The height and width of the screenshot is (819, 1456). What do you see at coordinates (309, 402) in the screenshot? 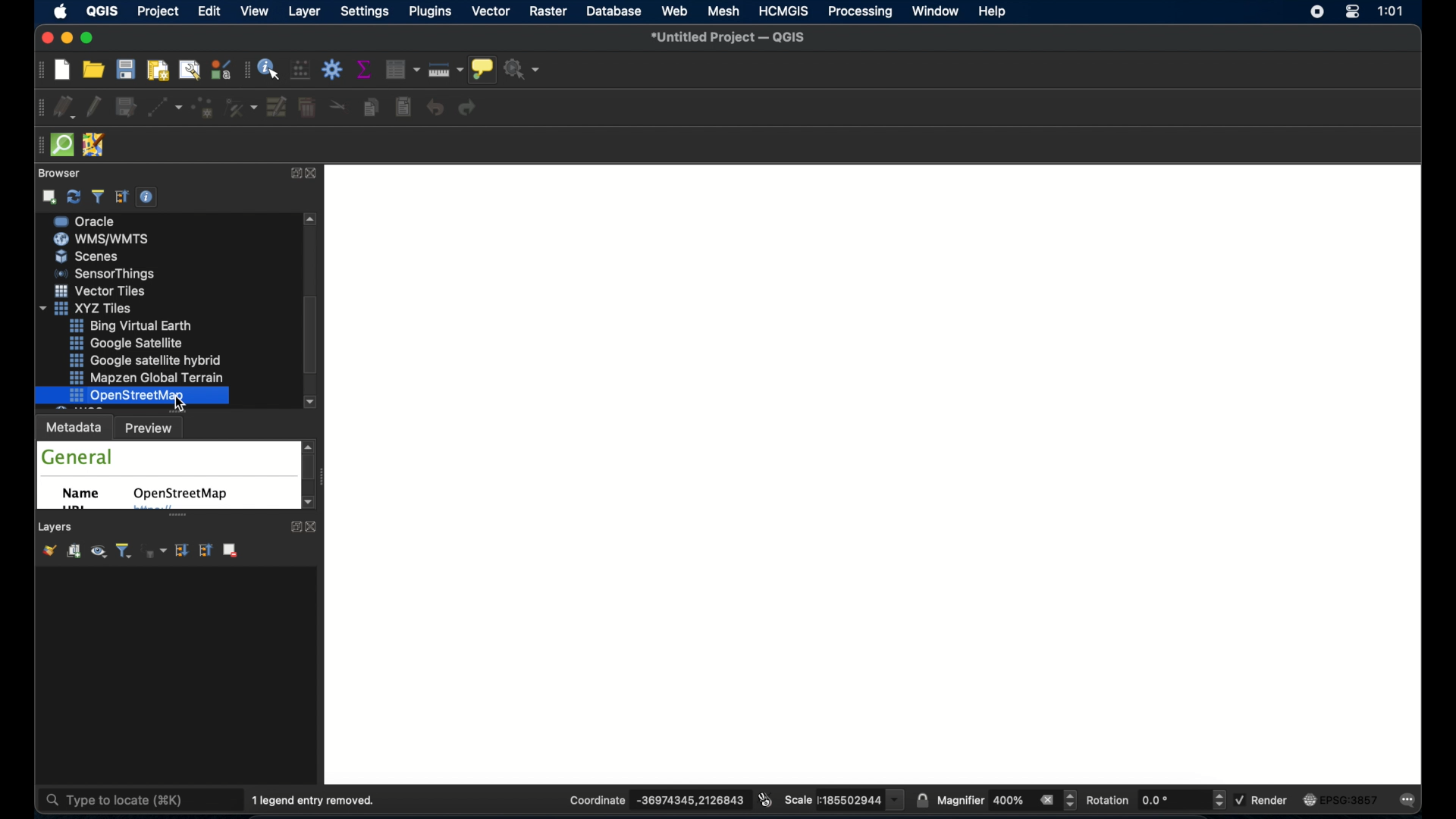
I see `scroll down button` at bounding box center [309, 402].